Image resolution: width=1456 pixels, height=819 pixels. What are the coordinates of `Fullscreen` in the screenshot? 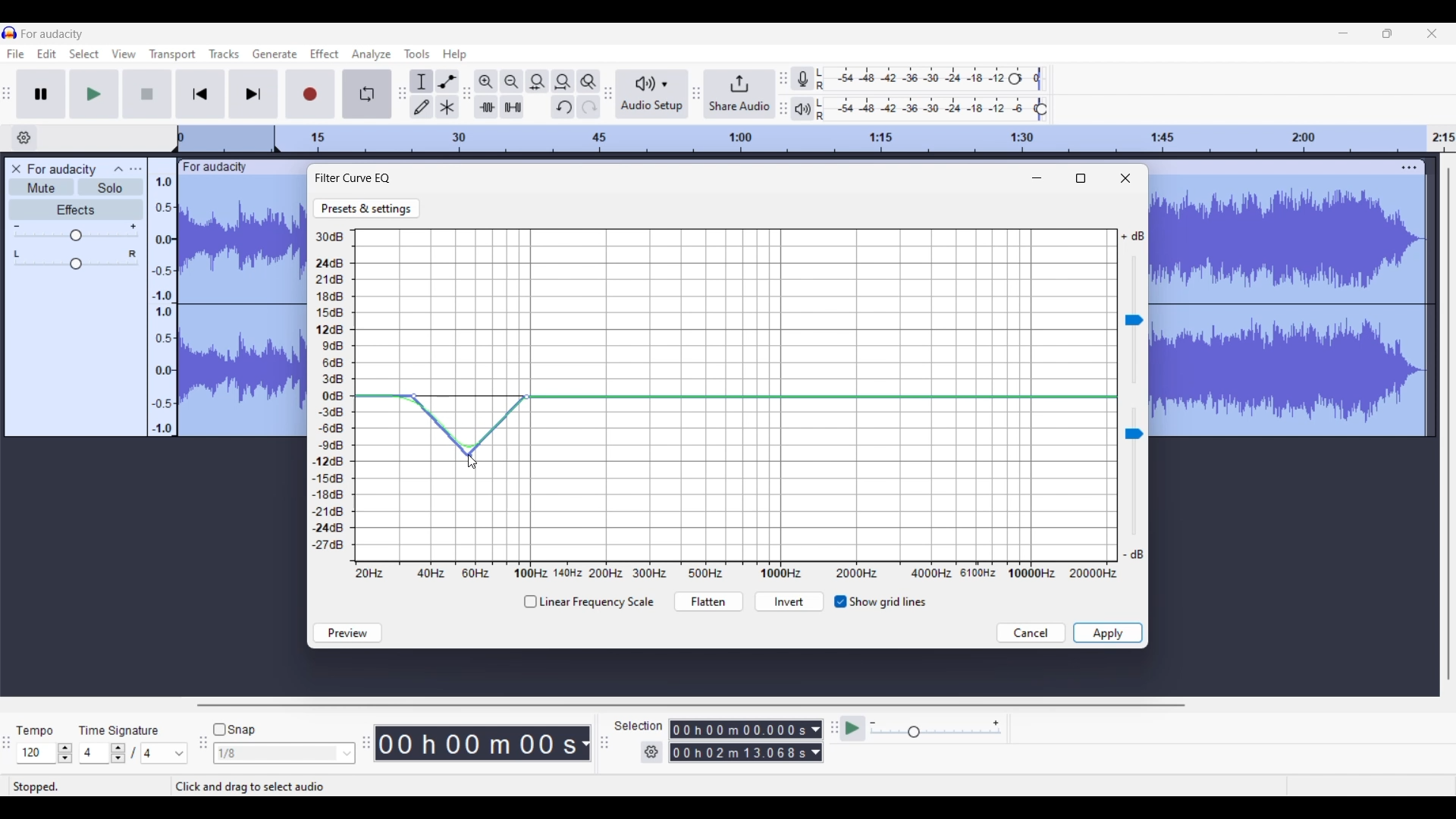 It's located at (1081, 178).